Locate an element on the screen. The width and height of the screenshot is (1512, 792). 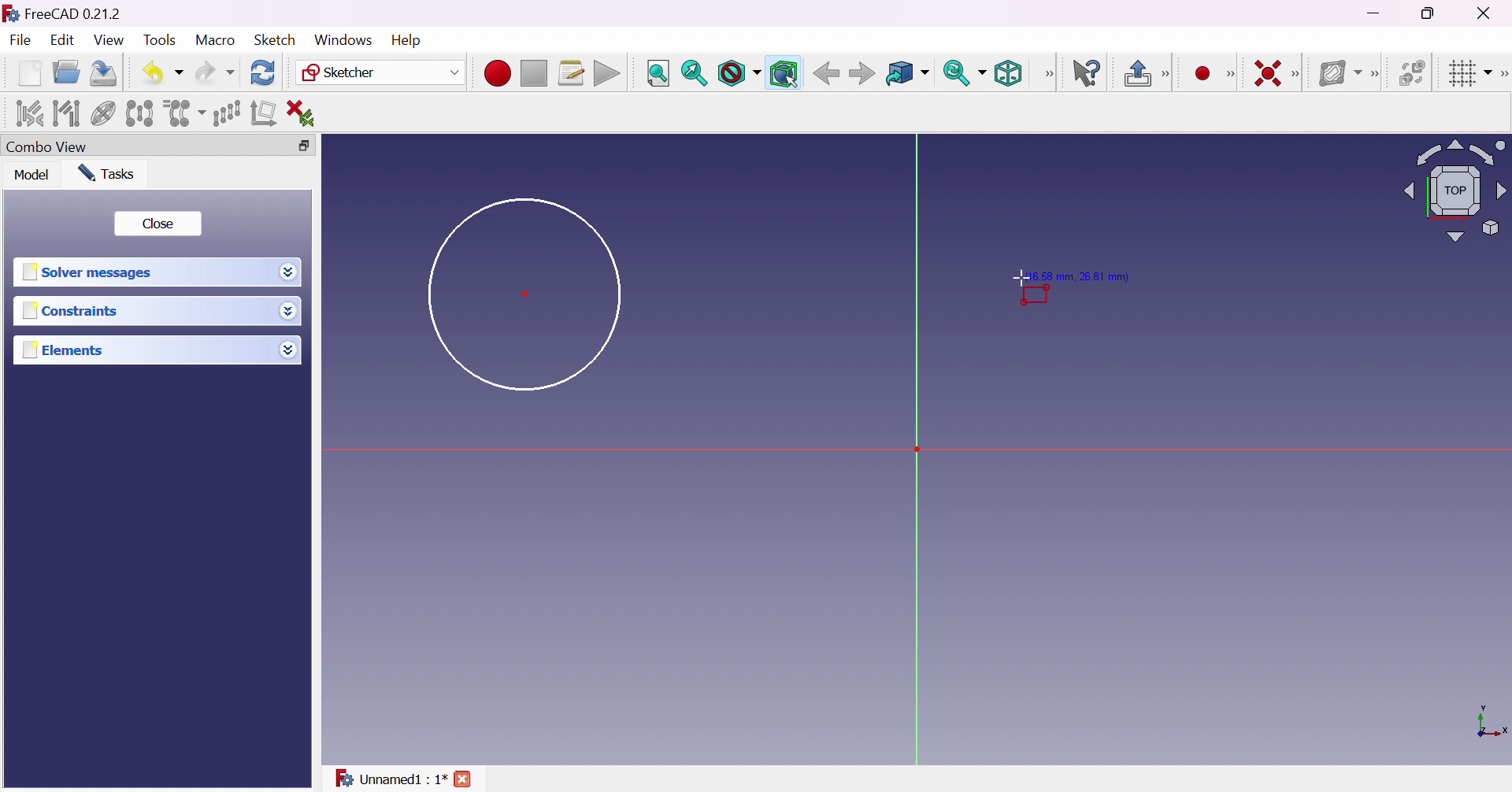
Help is located at coordinates (408, 40).